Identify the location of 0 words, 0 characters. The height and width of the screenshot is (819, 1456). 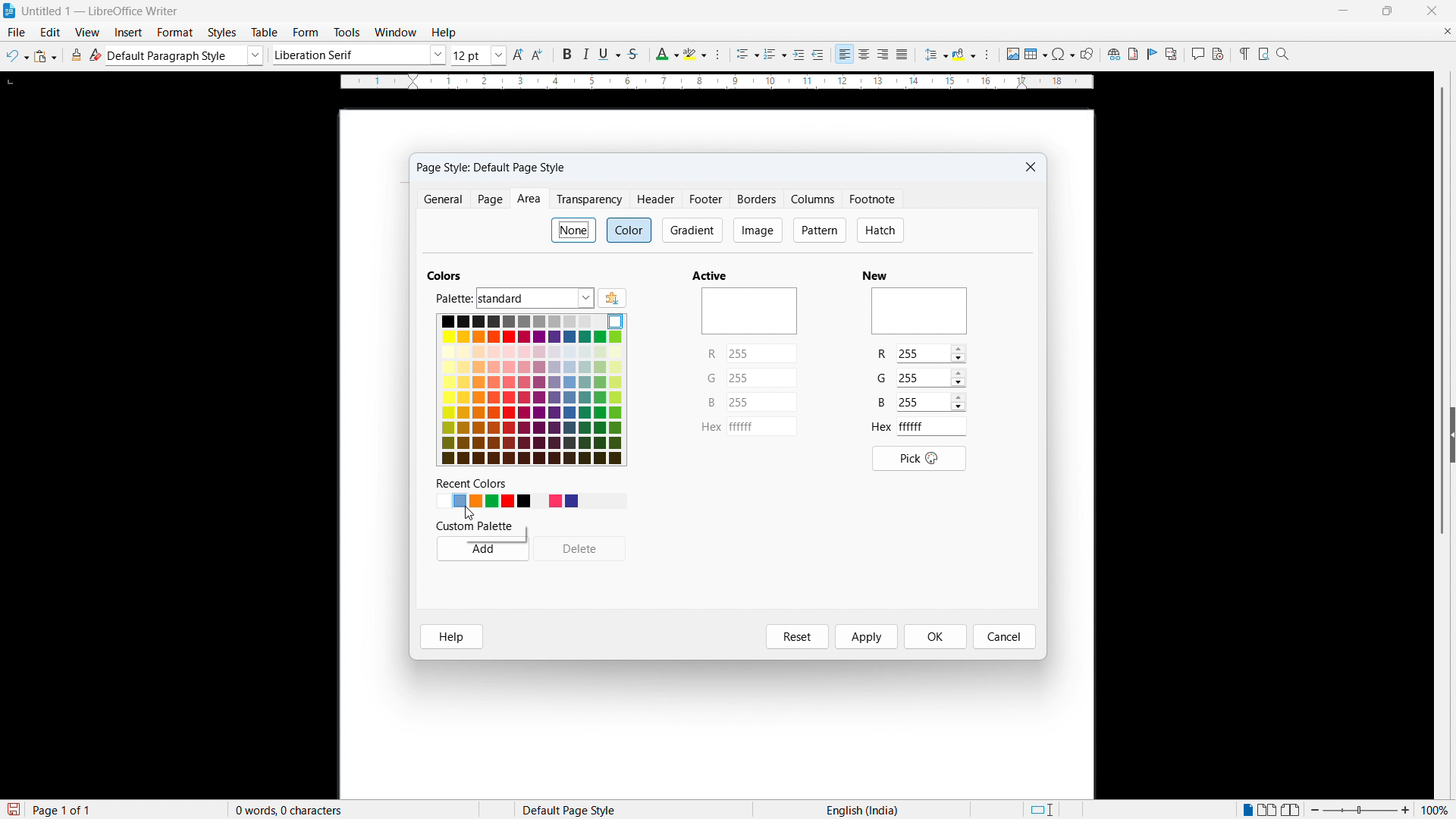
(290, 810).